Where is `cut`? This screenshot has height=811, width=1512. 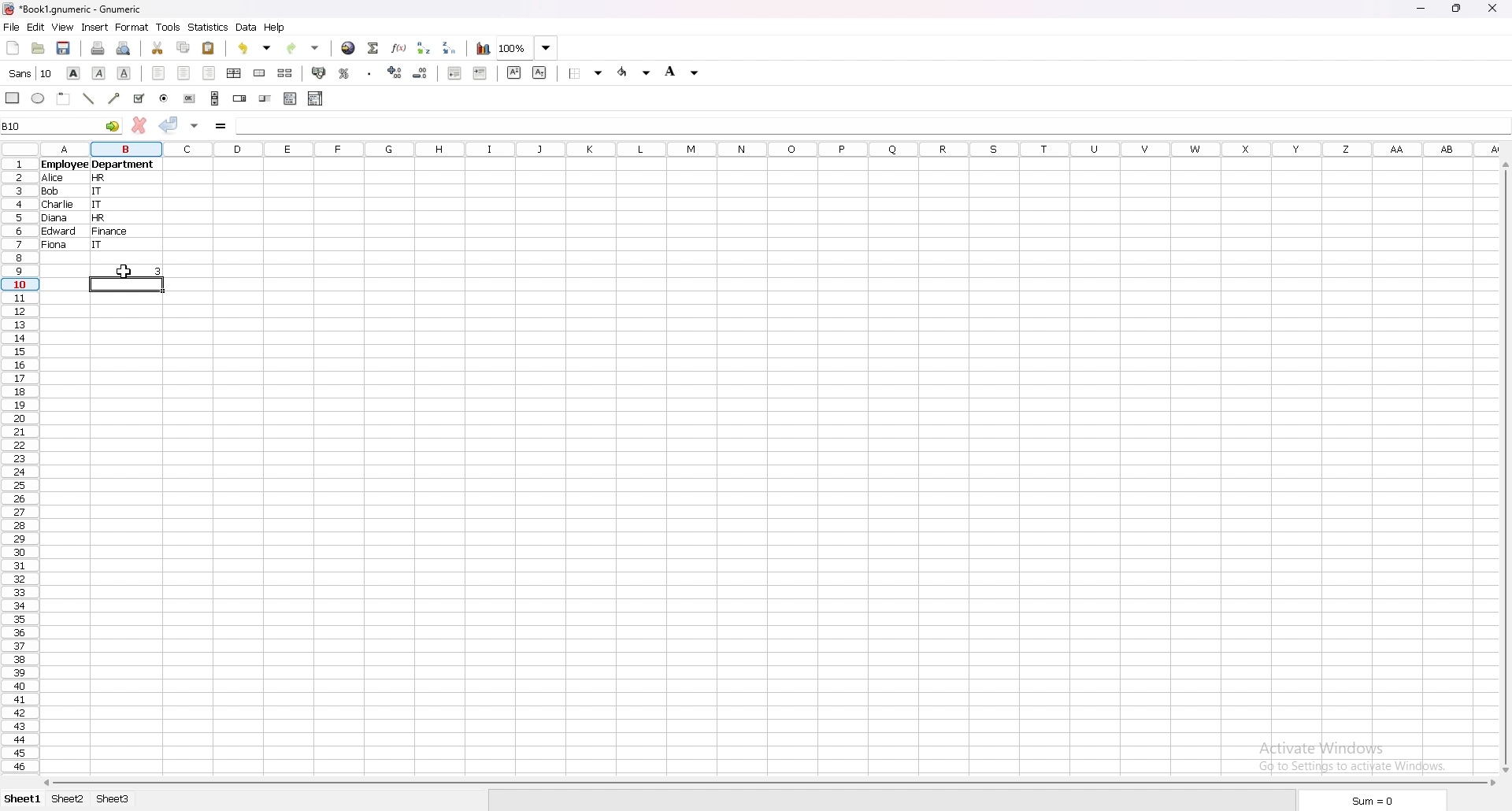
cut is located at coordinates (157, 47).